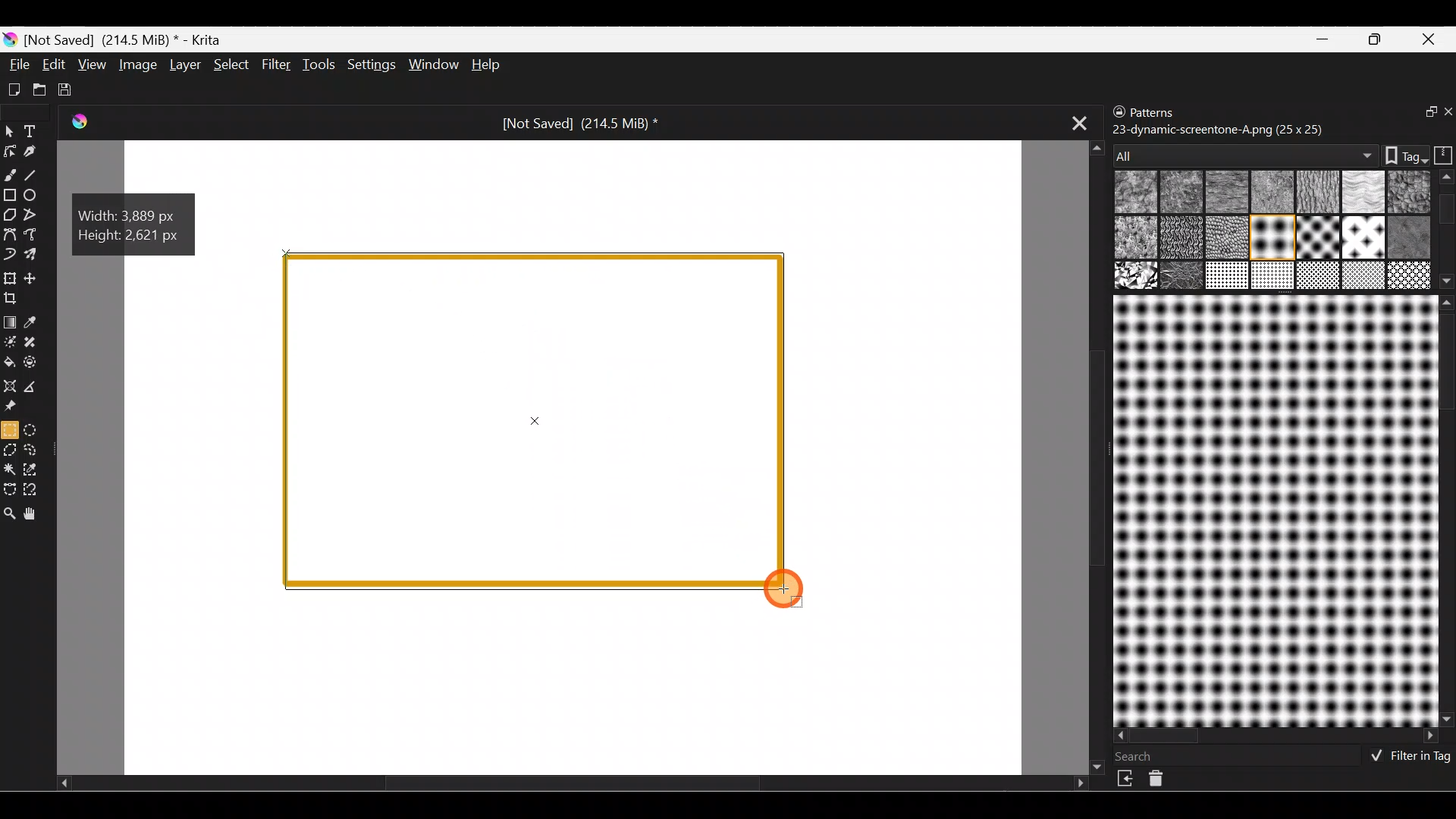 The height and width of the screenshot is (819, 1456). I want to click on Window, so click(431, 64).